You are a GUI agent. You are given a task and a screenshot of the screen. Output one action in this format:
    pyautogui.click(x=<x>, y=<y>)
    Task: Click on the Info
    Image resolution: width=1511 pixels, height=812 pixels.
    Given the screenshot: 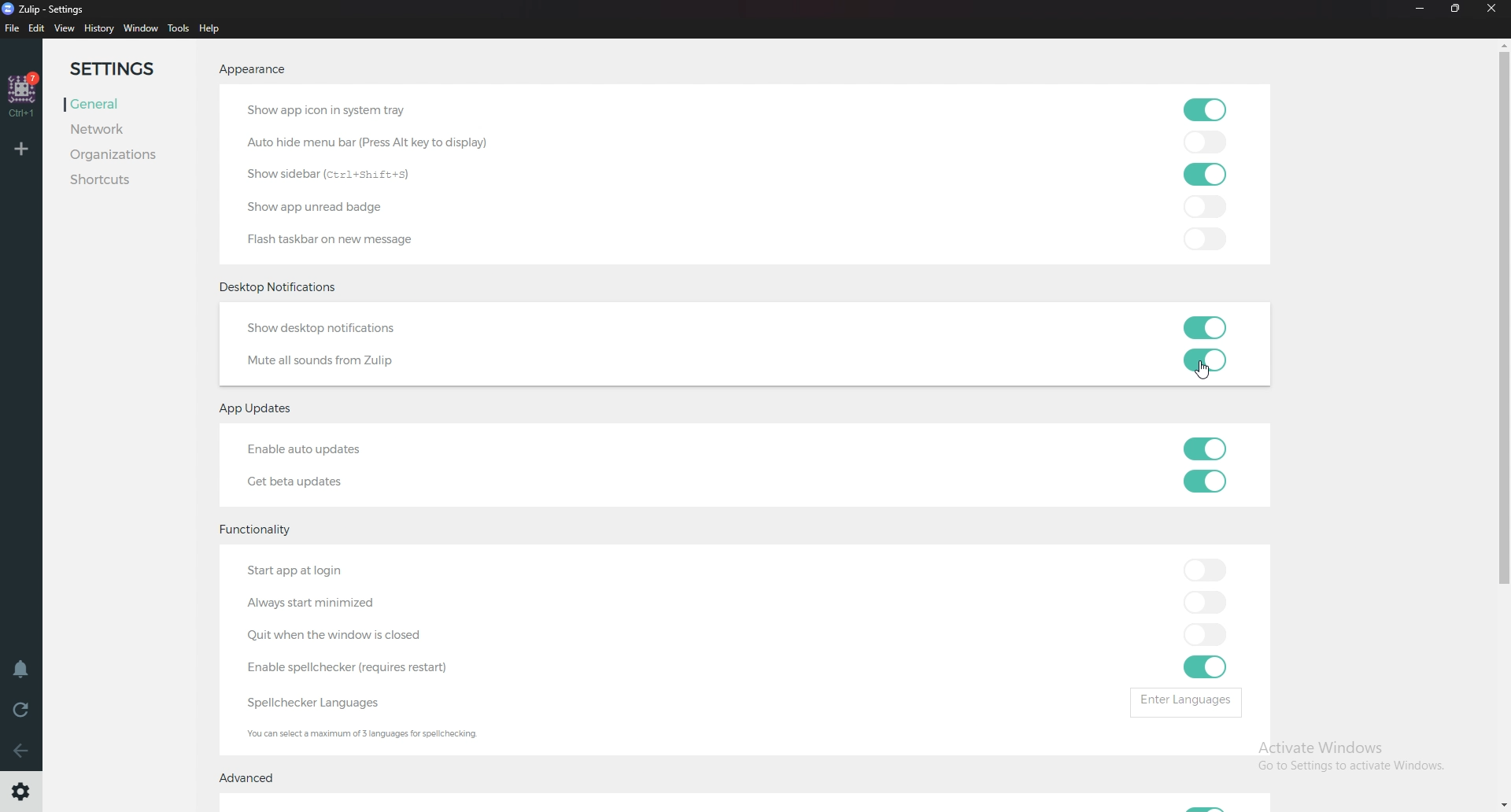 What is the action you would take?
    pyautogui.click(x=417, y=735)
    